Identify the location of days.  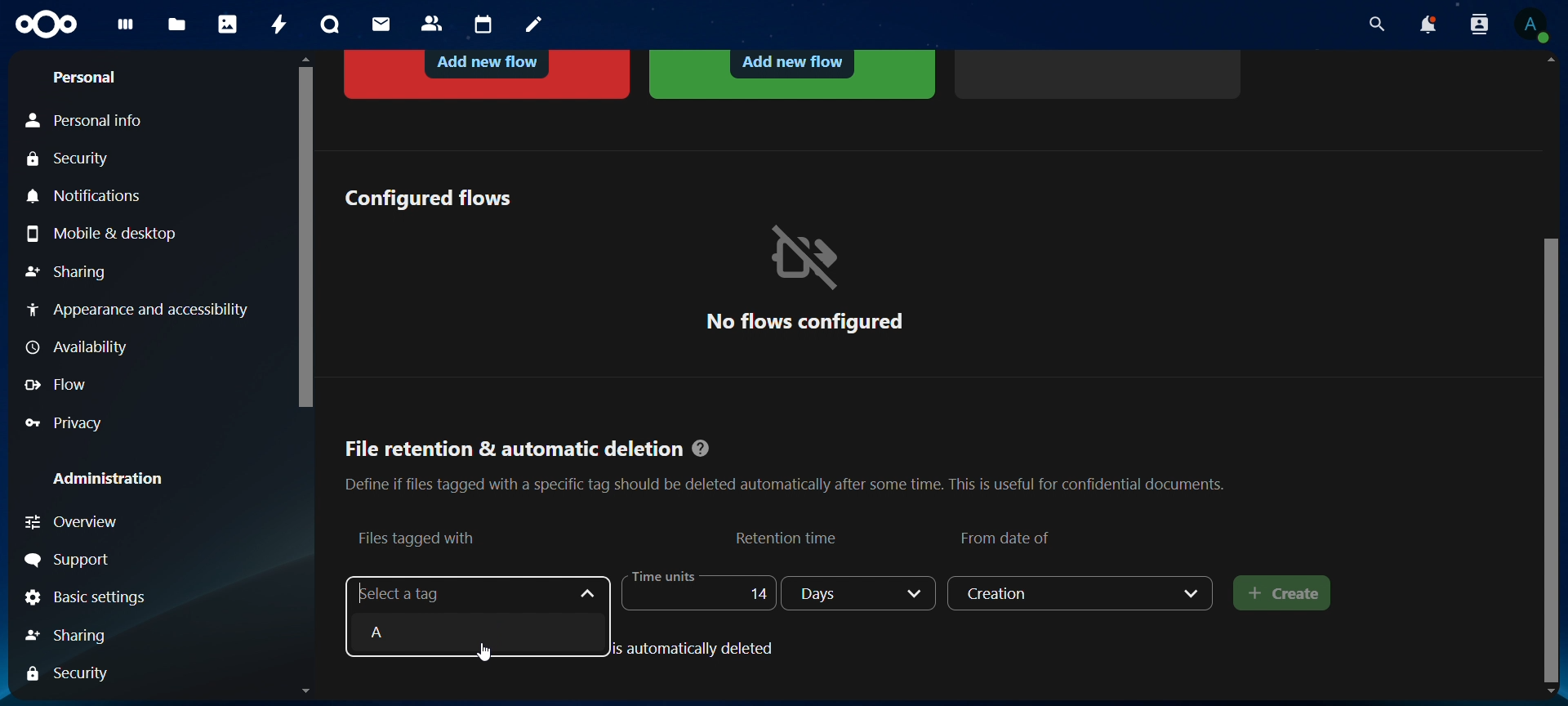
(861, 593).